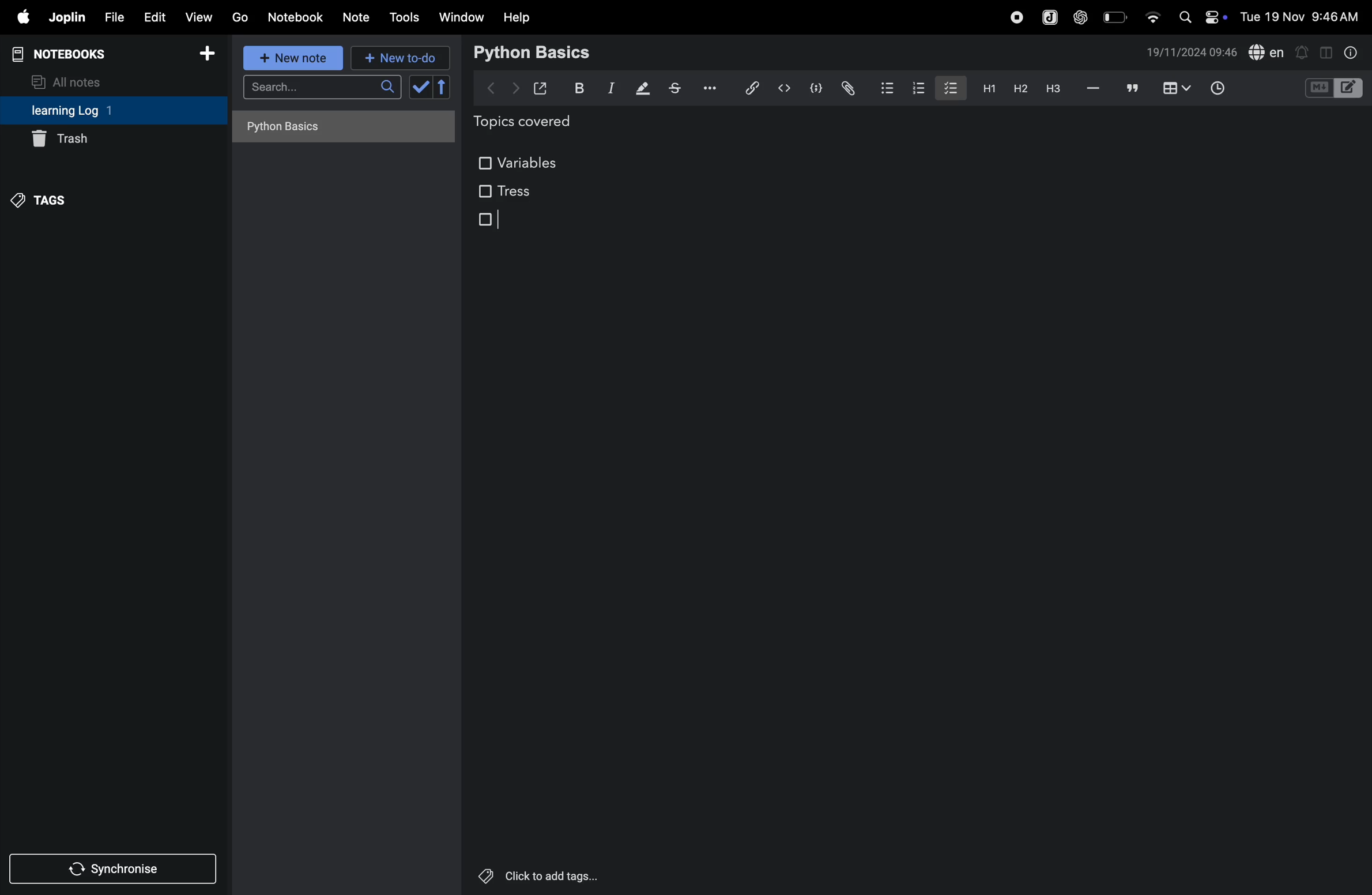 Image resolution: width=1372 pixels, height=895 pixels. Describe the element at coordinates (112, 18) in the screenshot. I see `file` at that location.